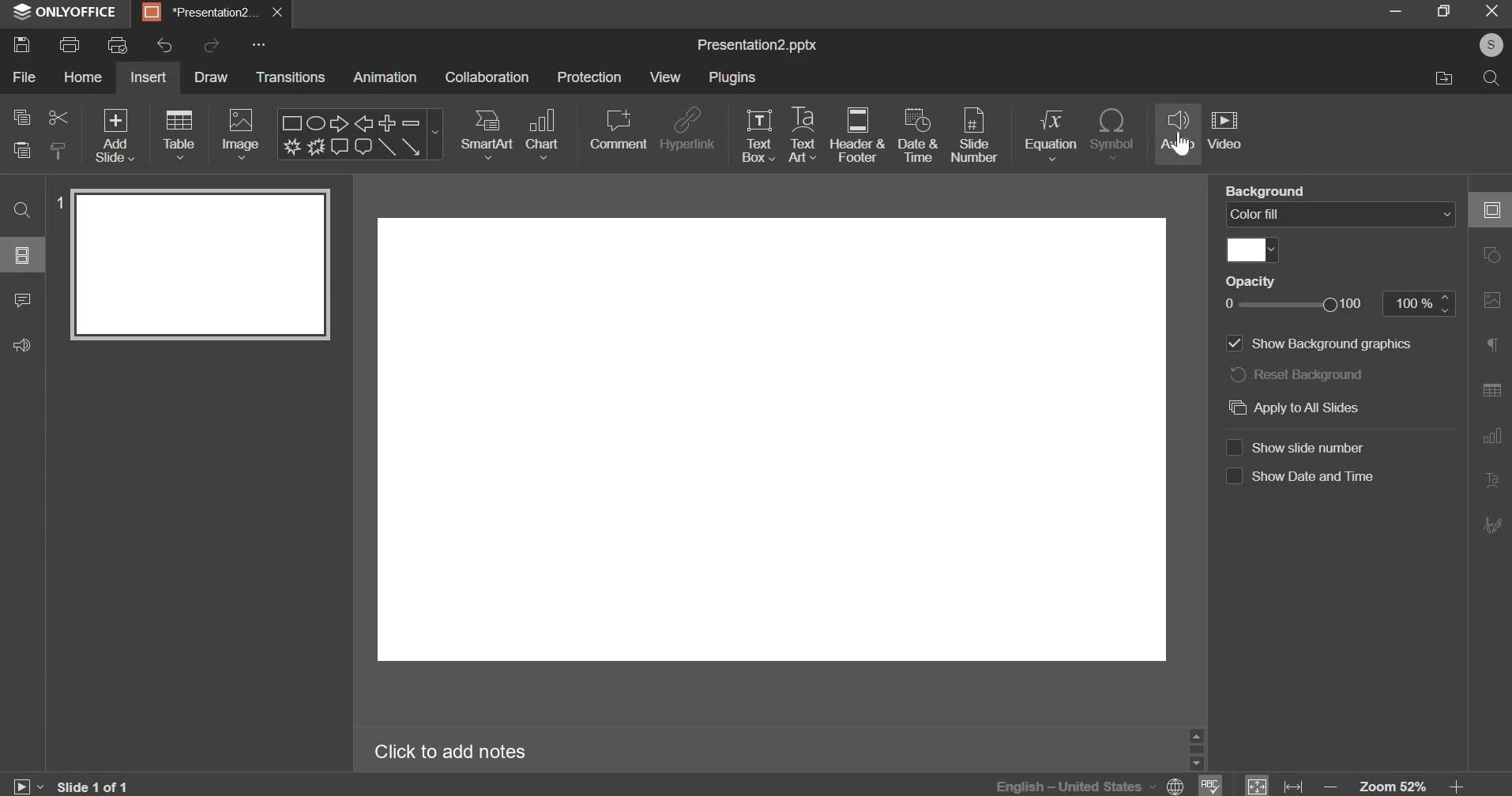 Image resolution: width=1512 pixels, height=796 pixels. What do you see at coordinates (619, 125) in the screenshot?
I see `comment` at bounding box center [619, 125].